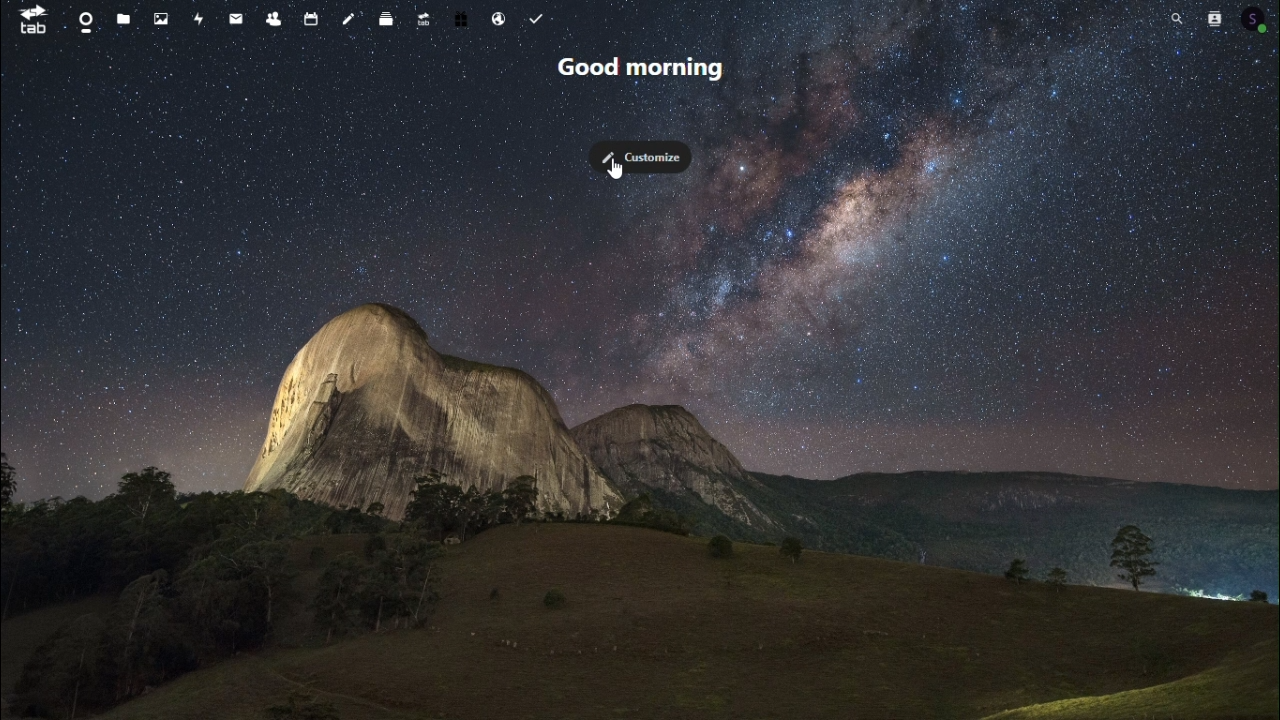 This screenshot has width=1280, height=720. What do you see at coordinates (499, 18) in the screenshot?
I see `Email hosting` at bounding box center [499, 18].